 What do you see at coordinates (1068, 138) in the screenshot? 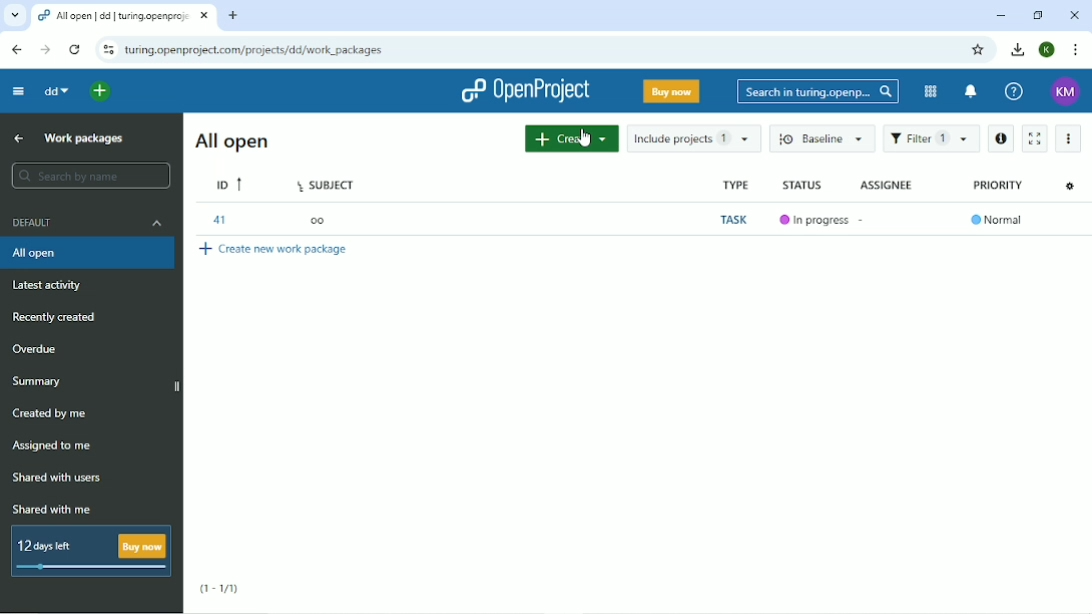
I see `More` at bounding box center [1068, 138].